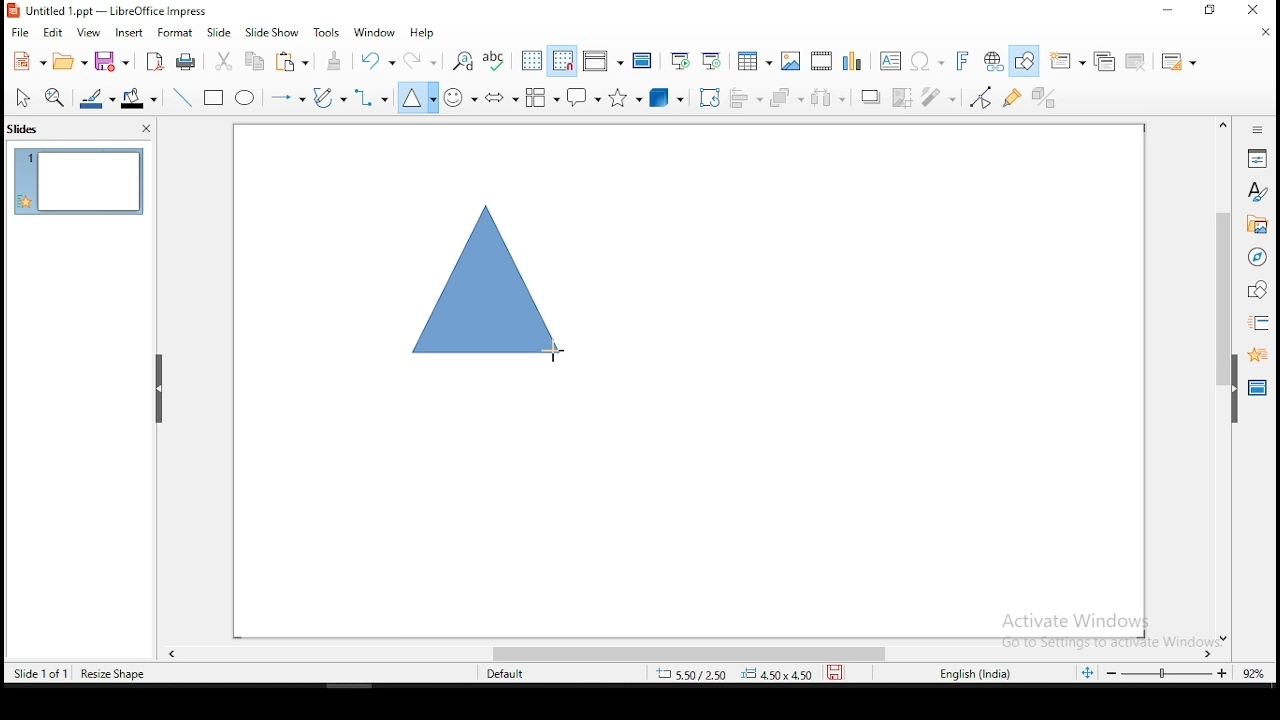 Image resolution: width=1280 pixels, height=720 pixels. What do you see at coordinates (115, 61) in the screenshot?
I see `save` at bounding box center [115, 61].